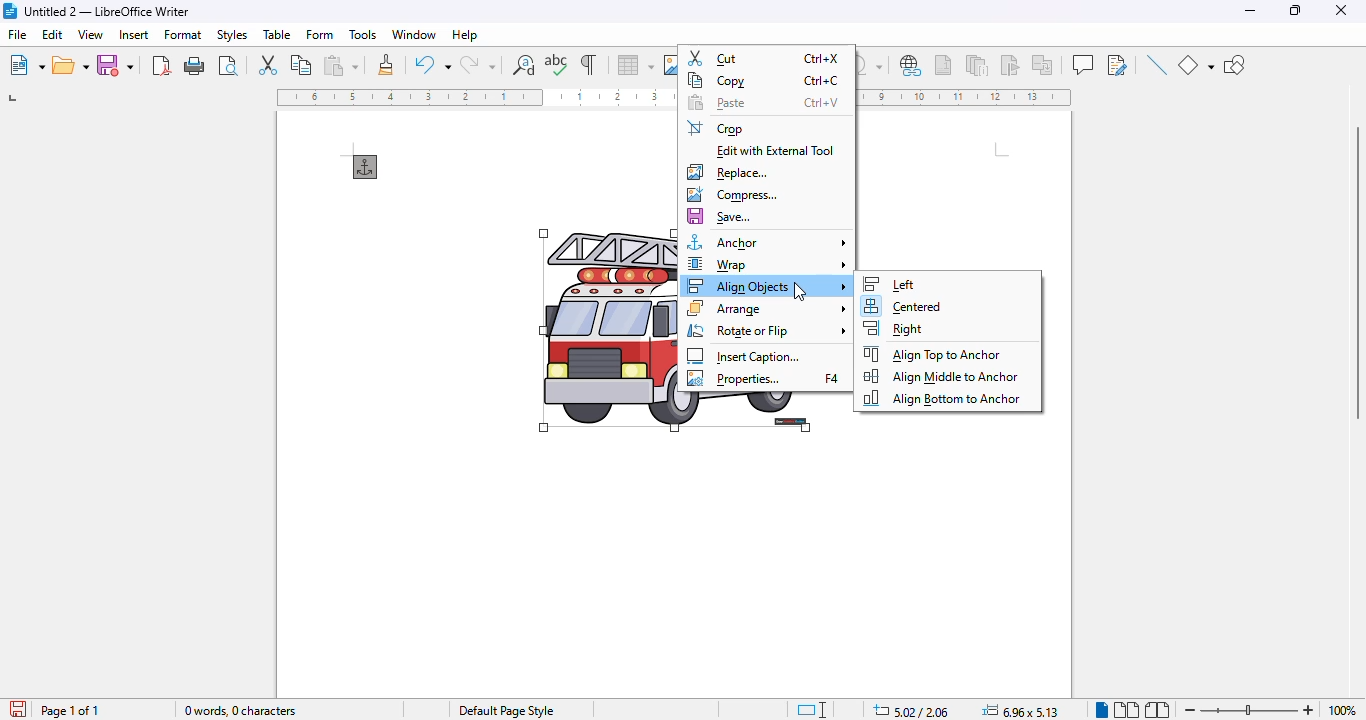  I want to click on compress, so click(731, 195).